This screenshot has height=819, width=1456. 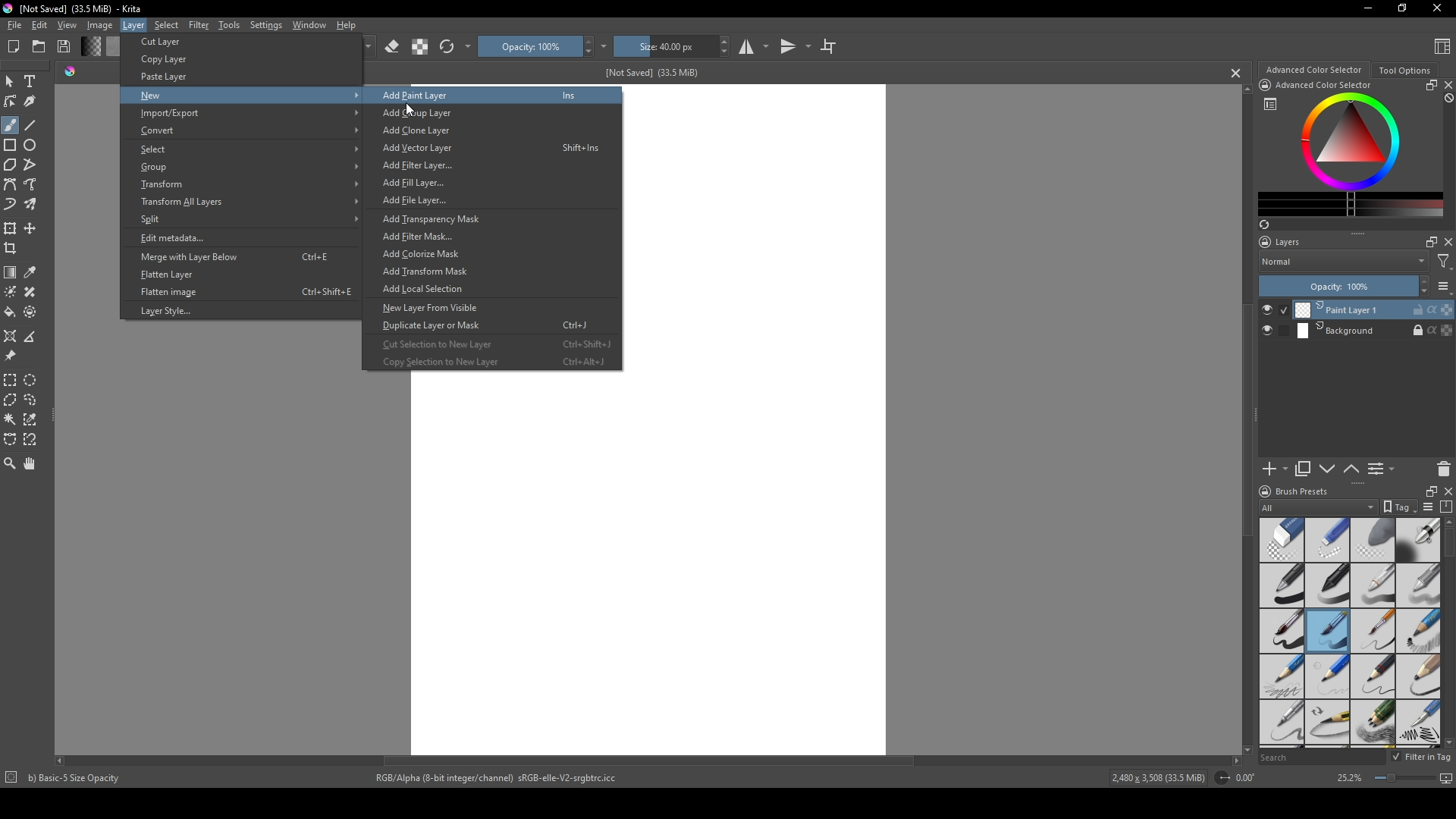 What do you see at coordinates (33, 337) in the screenshot?
I see `measure` at bounding box center [33, 337].